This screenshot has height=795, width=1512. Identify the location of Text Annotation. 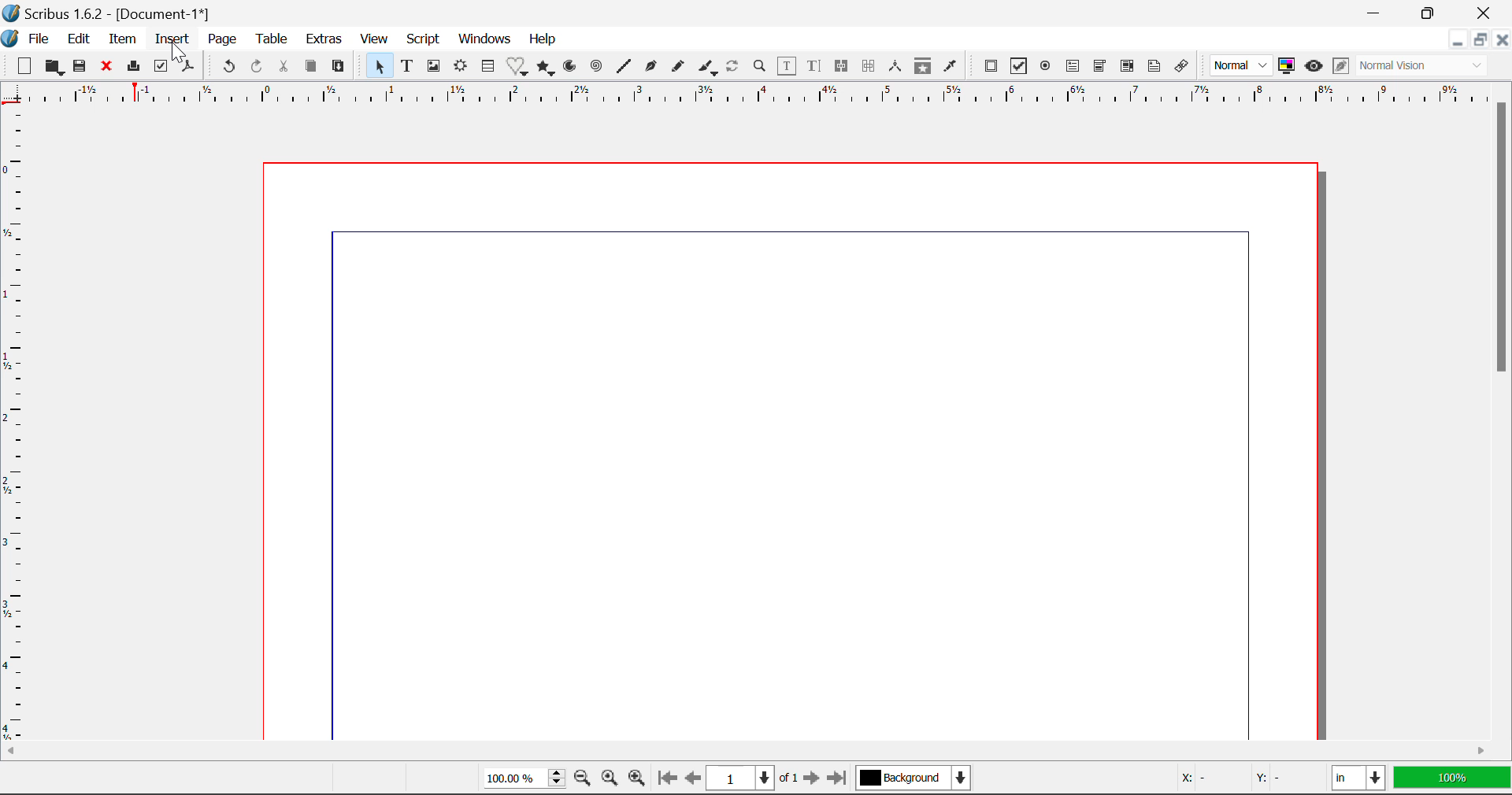
(1153, 67).